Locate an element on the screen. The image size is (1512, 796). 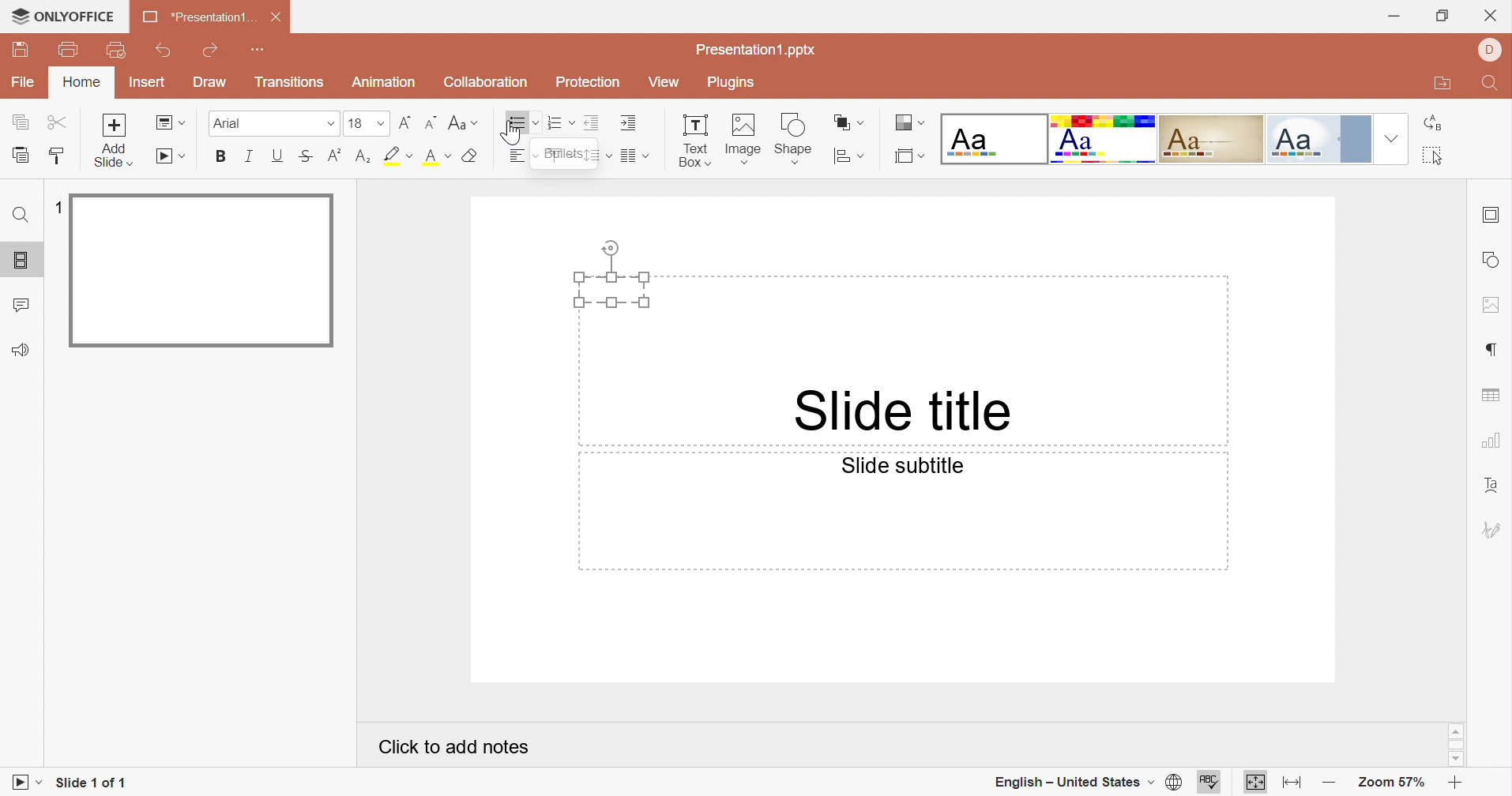
Slides is located at coordinates (23, 262).